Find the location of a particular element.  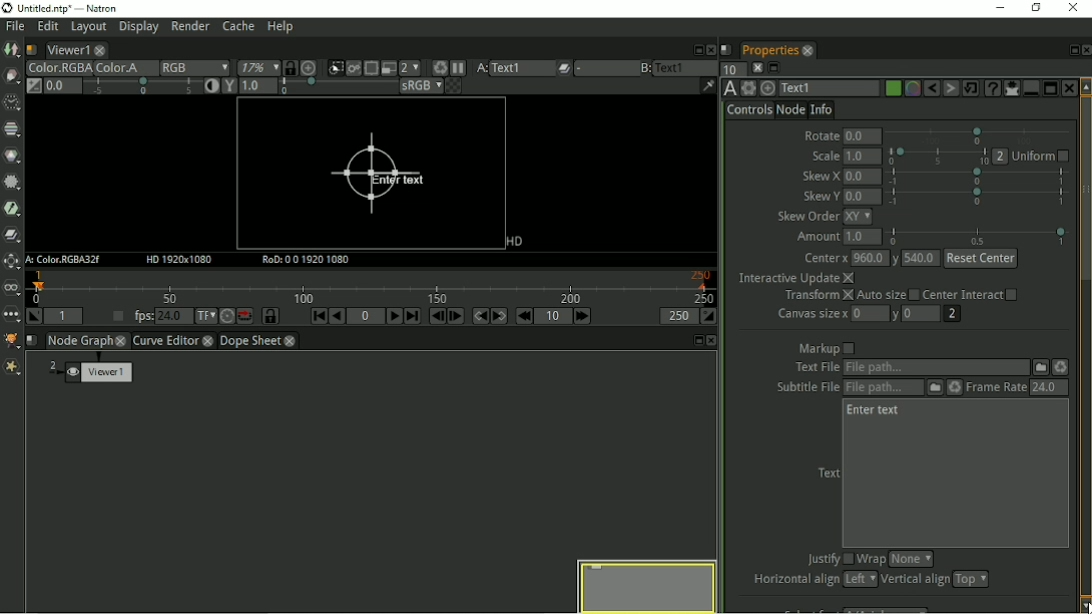

2 is located at coordinates (1000, 155).